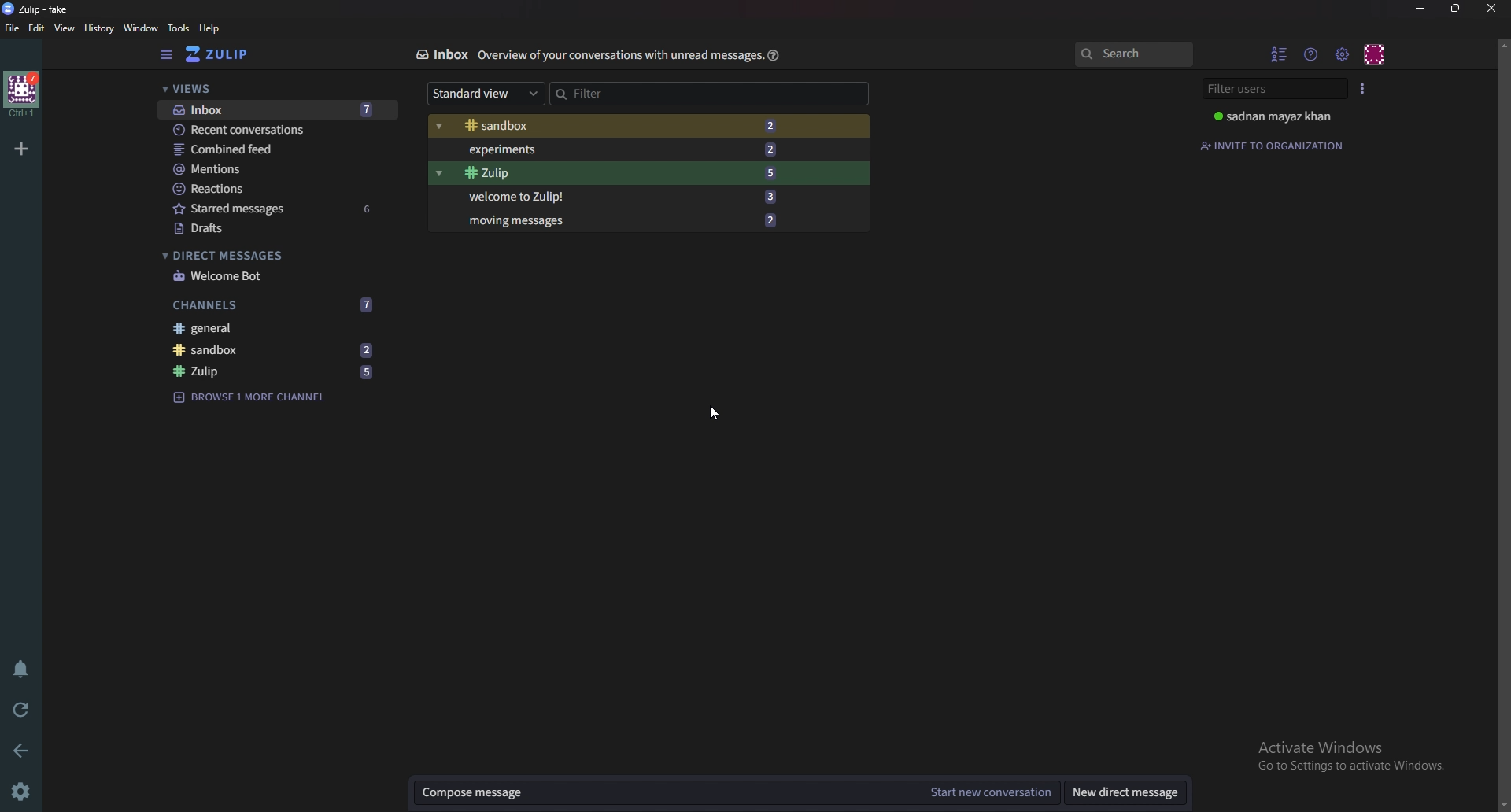 The height and width of the screenshot is (812, 1511). I want to click on Invite to organization, so click(1275, 144).